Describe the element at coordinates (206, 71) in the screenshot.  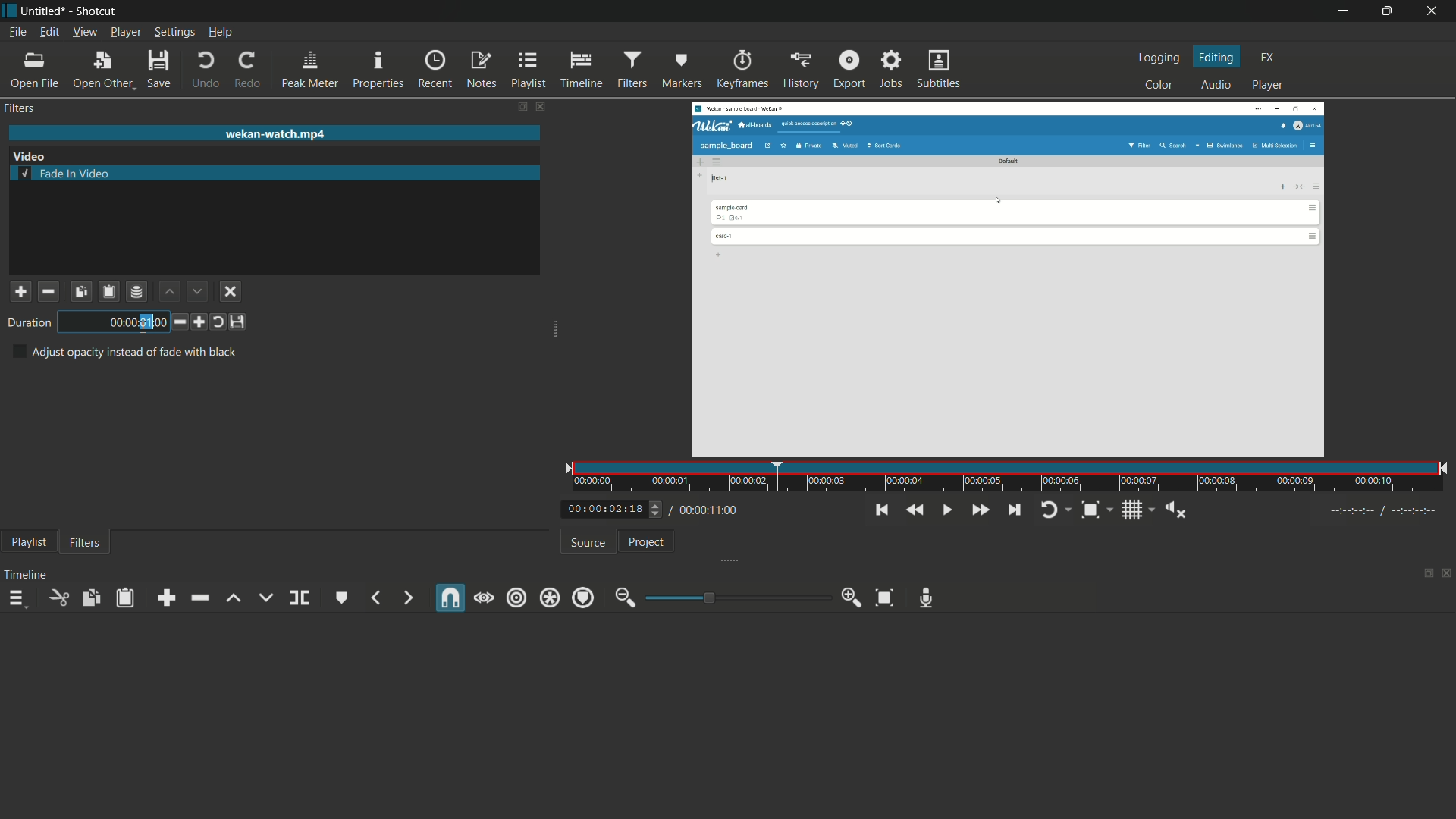
I see `undo` at that location.